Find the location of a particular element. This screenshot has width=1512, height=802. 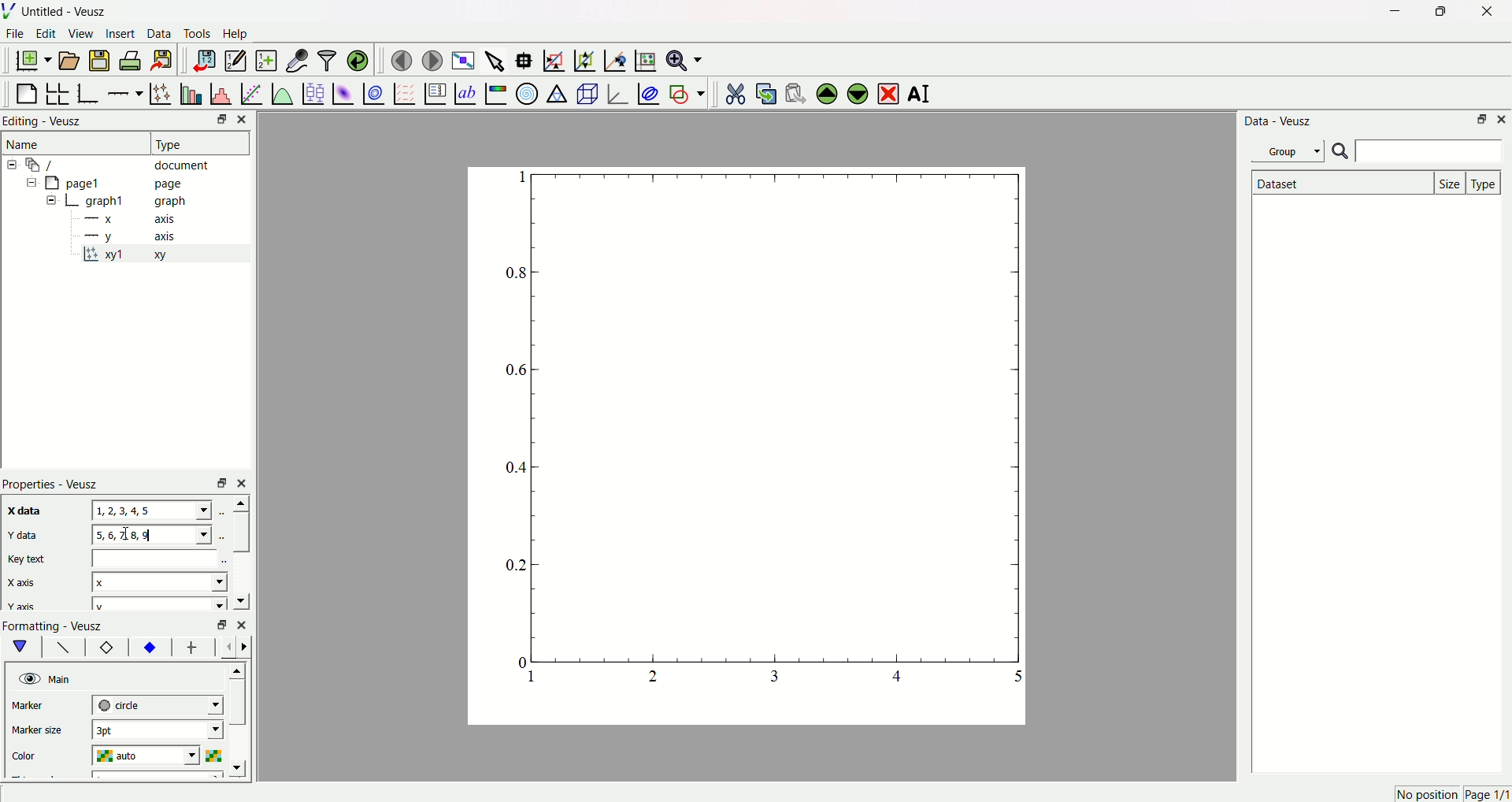

x axis is located at coordinates (133, 220).